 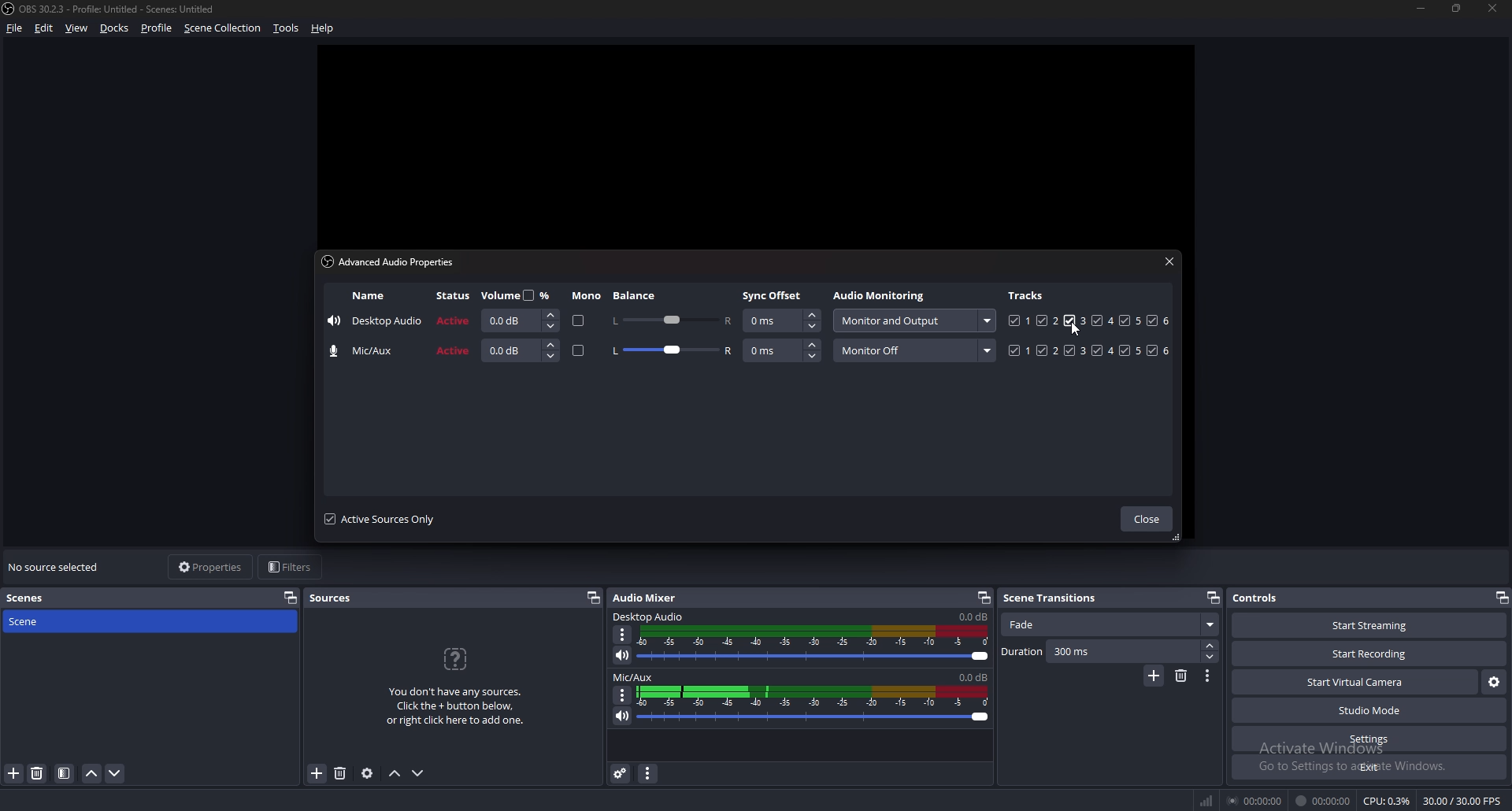 What do you see at coordinates (342, 772) in the screenshot?
I see `delete source` at bounding box center [342, 772].